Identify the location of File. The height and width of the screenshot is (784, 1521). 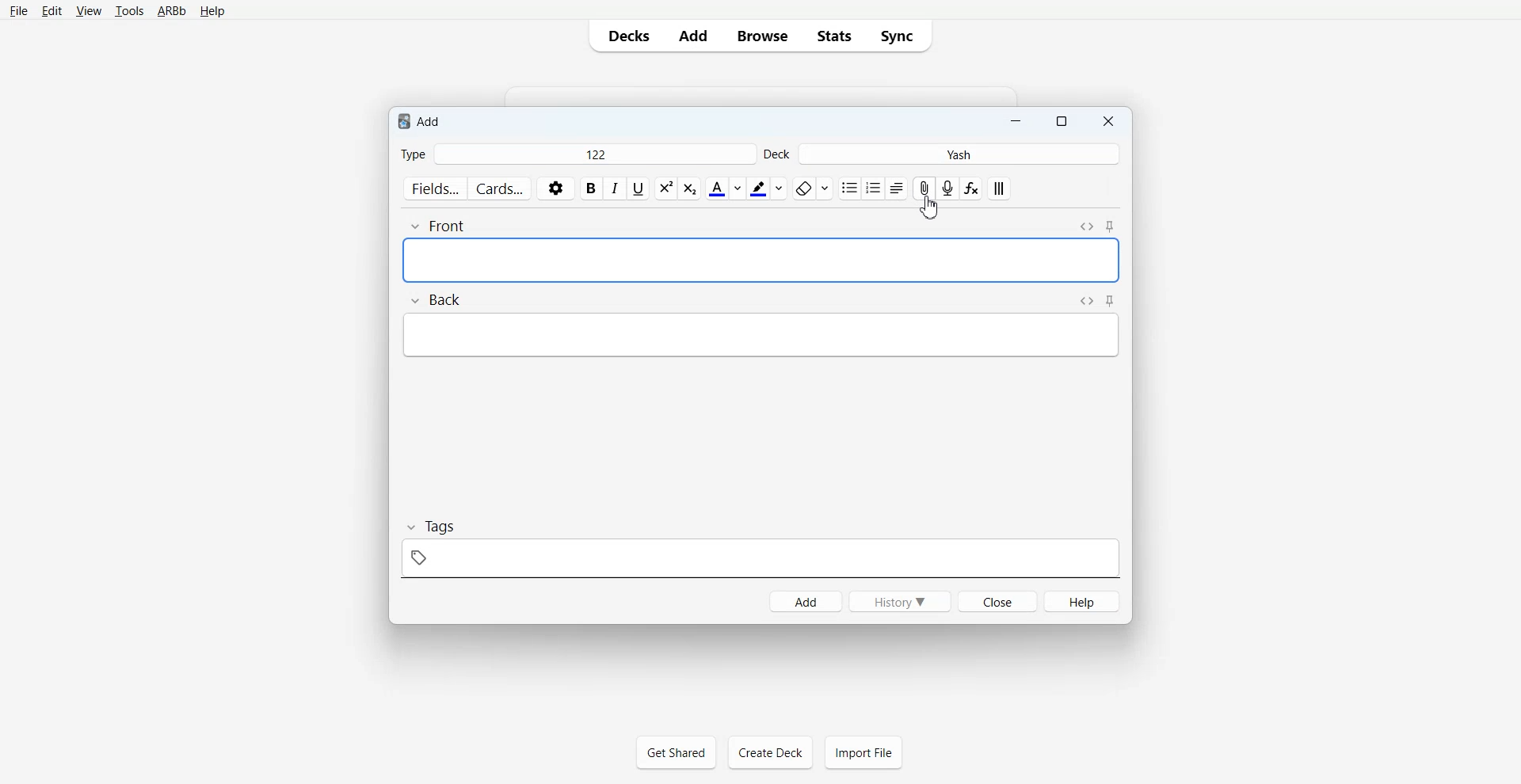
(18, 11).